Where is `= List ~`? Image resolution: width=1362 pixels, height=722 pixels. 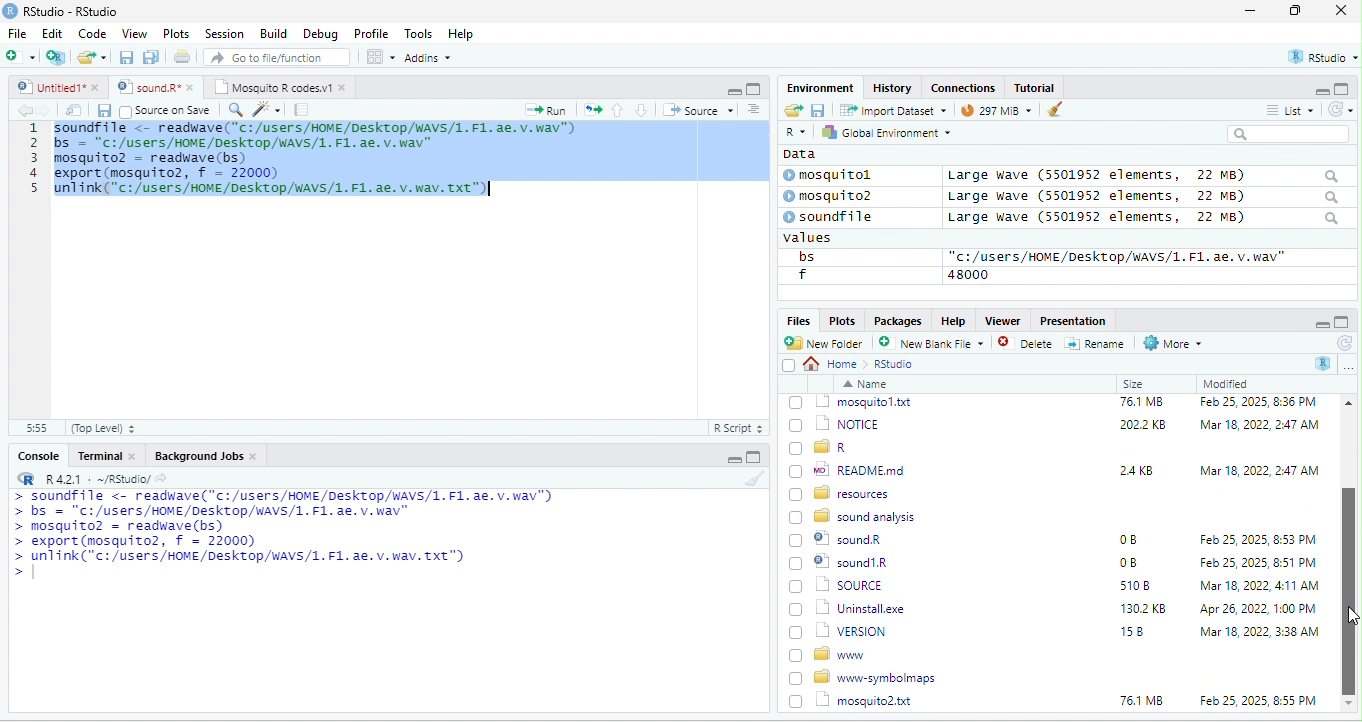
= List ~ is located at coordinates (1286, 110).